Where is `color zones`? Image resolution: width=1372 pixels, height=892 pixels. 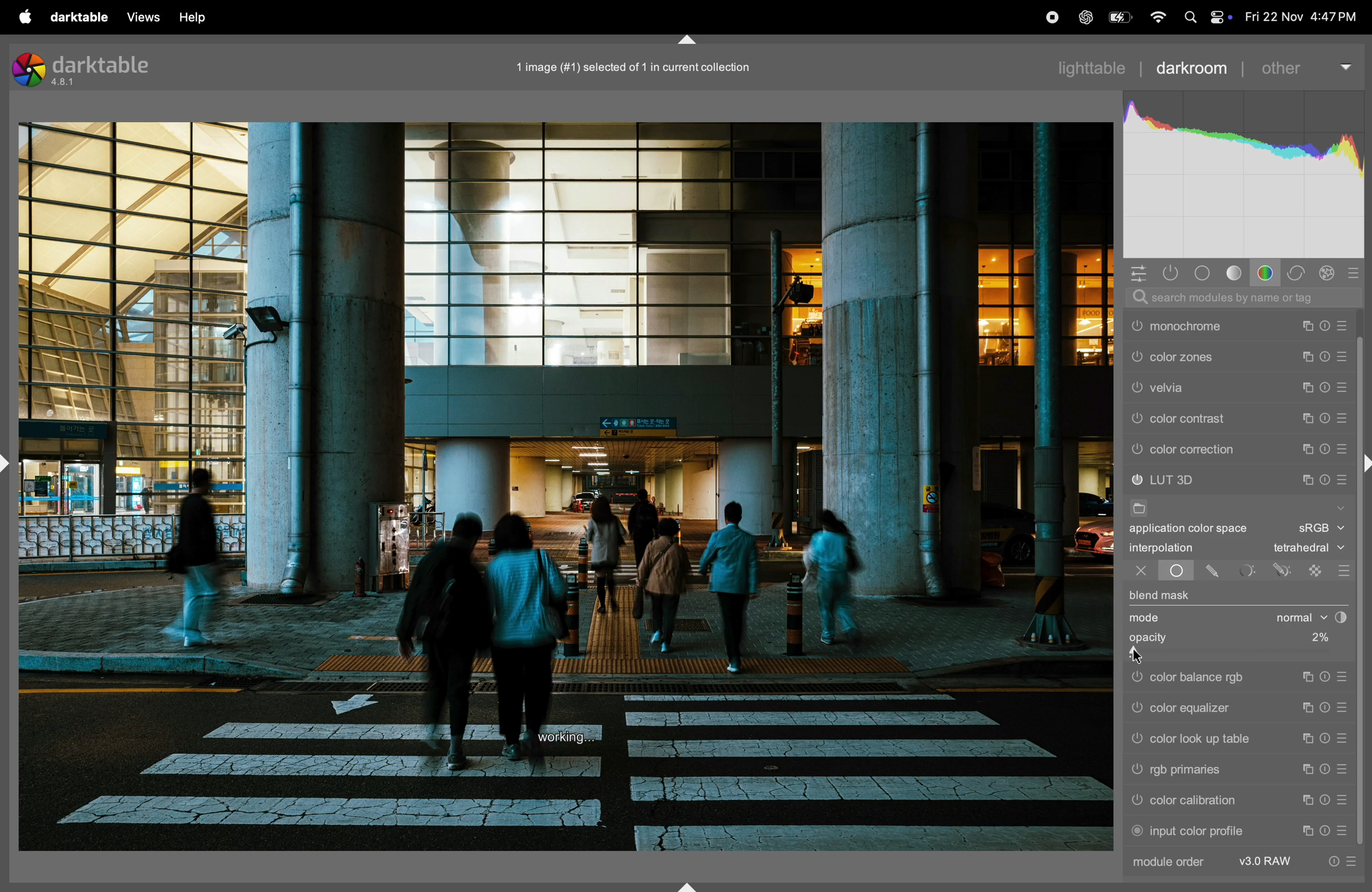 color zones is located at coordinates (1222, 386).